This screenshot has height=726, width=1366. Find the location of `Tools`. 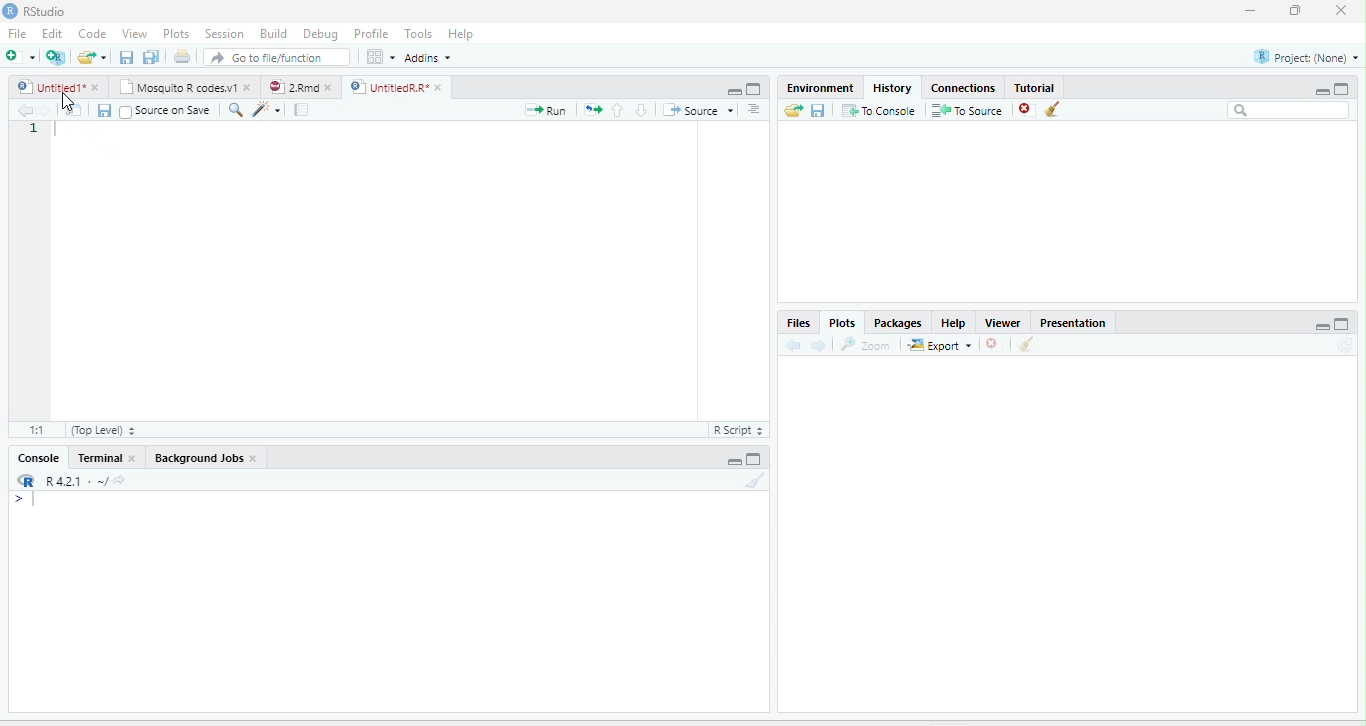

Tools is located at coordinates (417, 33).